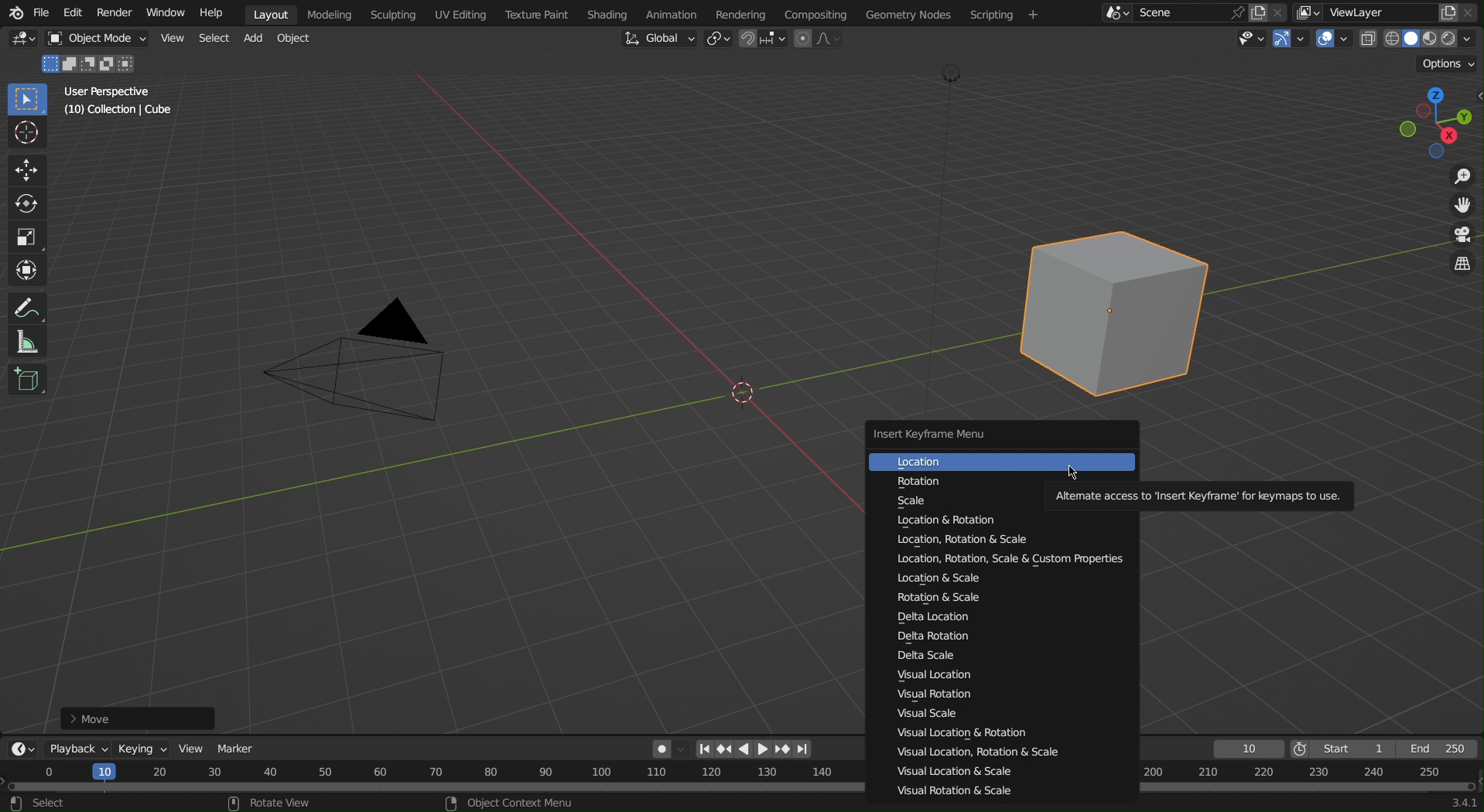 This screenshot has width=1484, height=812. Describe the element at coordinates (666, 746) in the screenshot. I see `Auto  Keying` at that location.